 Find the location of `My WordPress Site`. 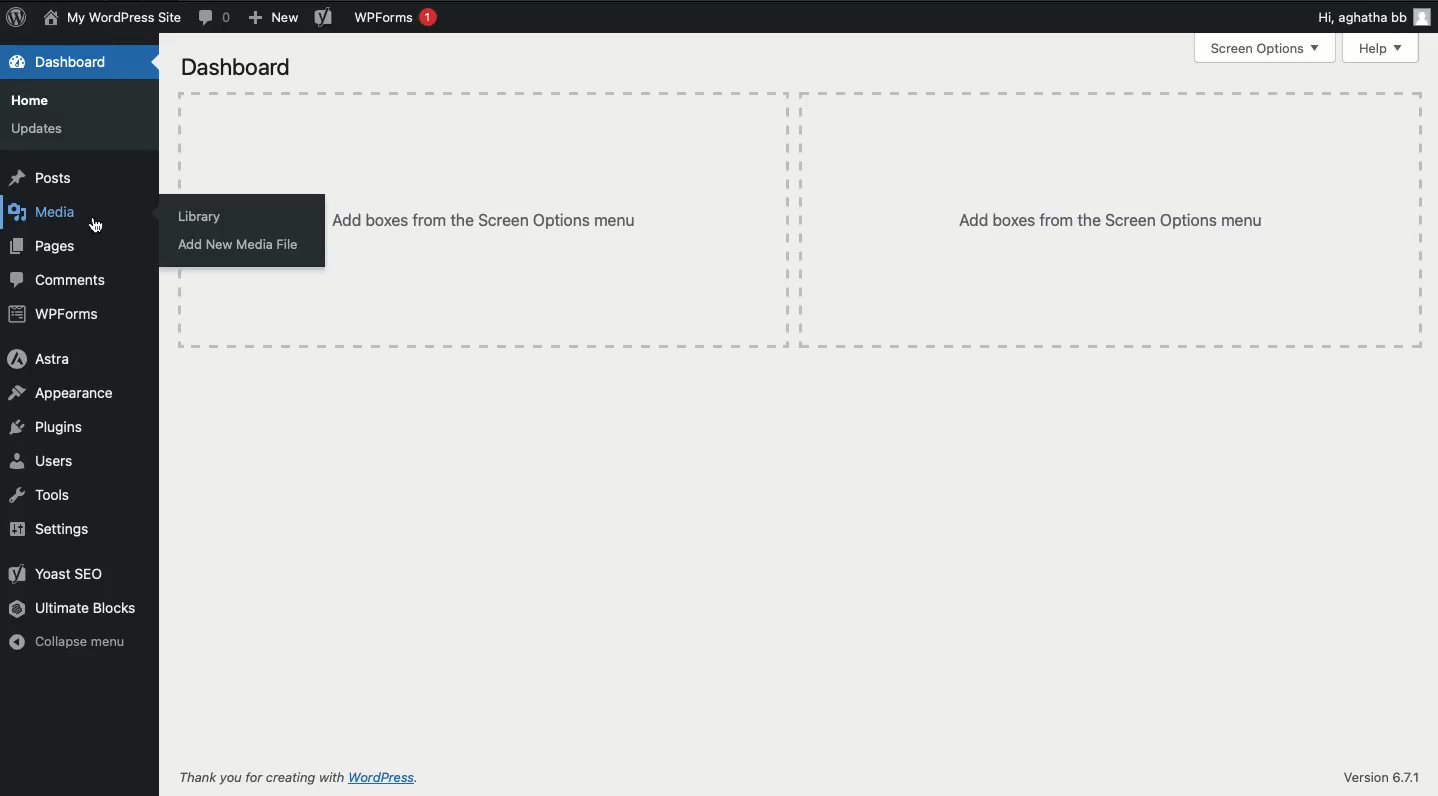

My WordPress Site is located at coordinates (112, 19).